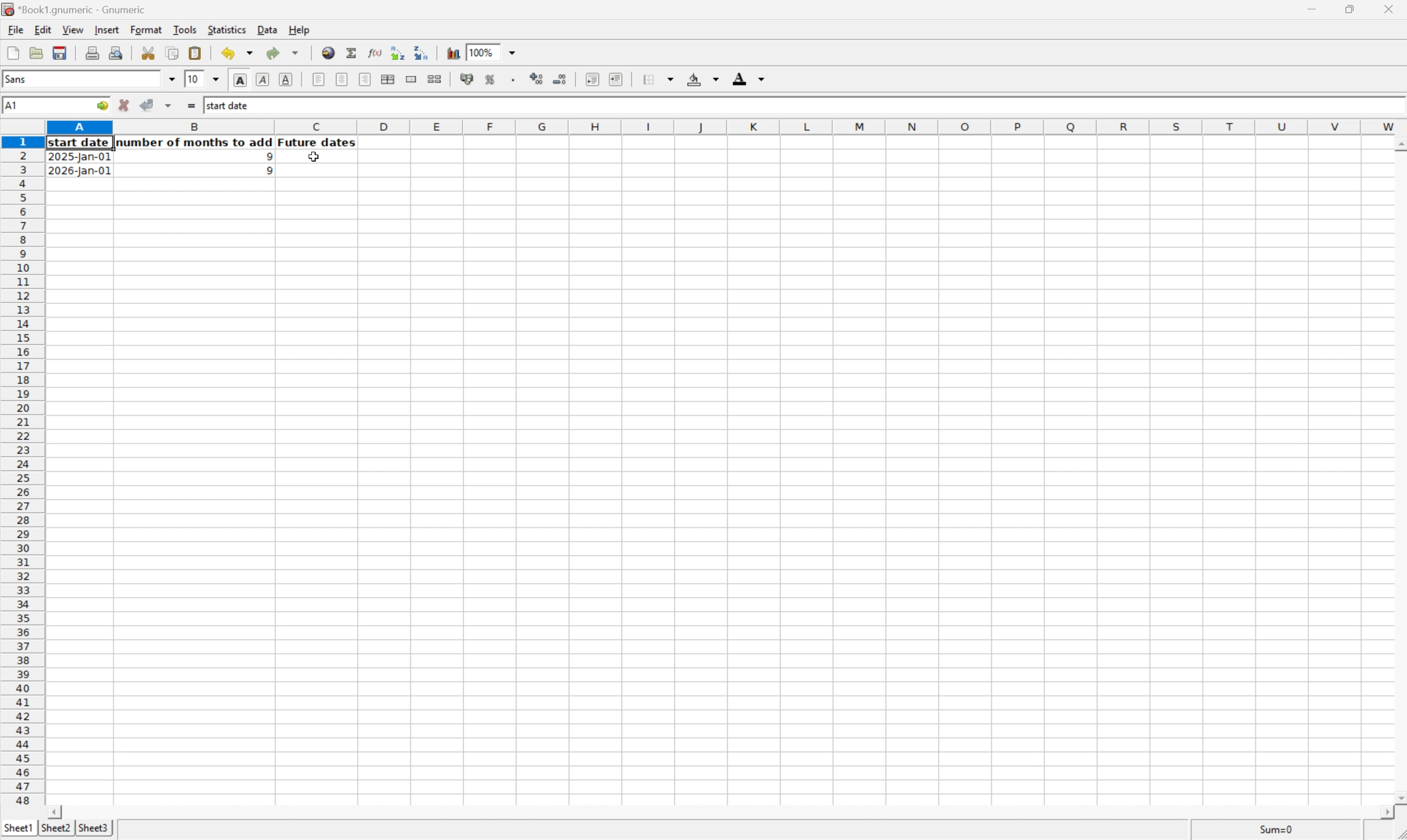  Describe the element at coordinates (454, 53) in the screenshot. I see `Insert a chart` at that location.